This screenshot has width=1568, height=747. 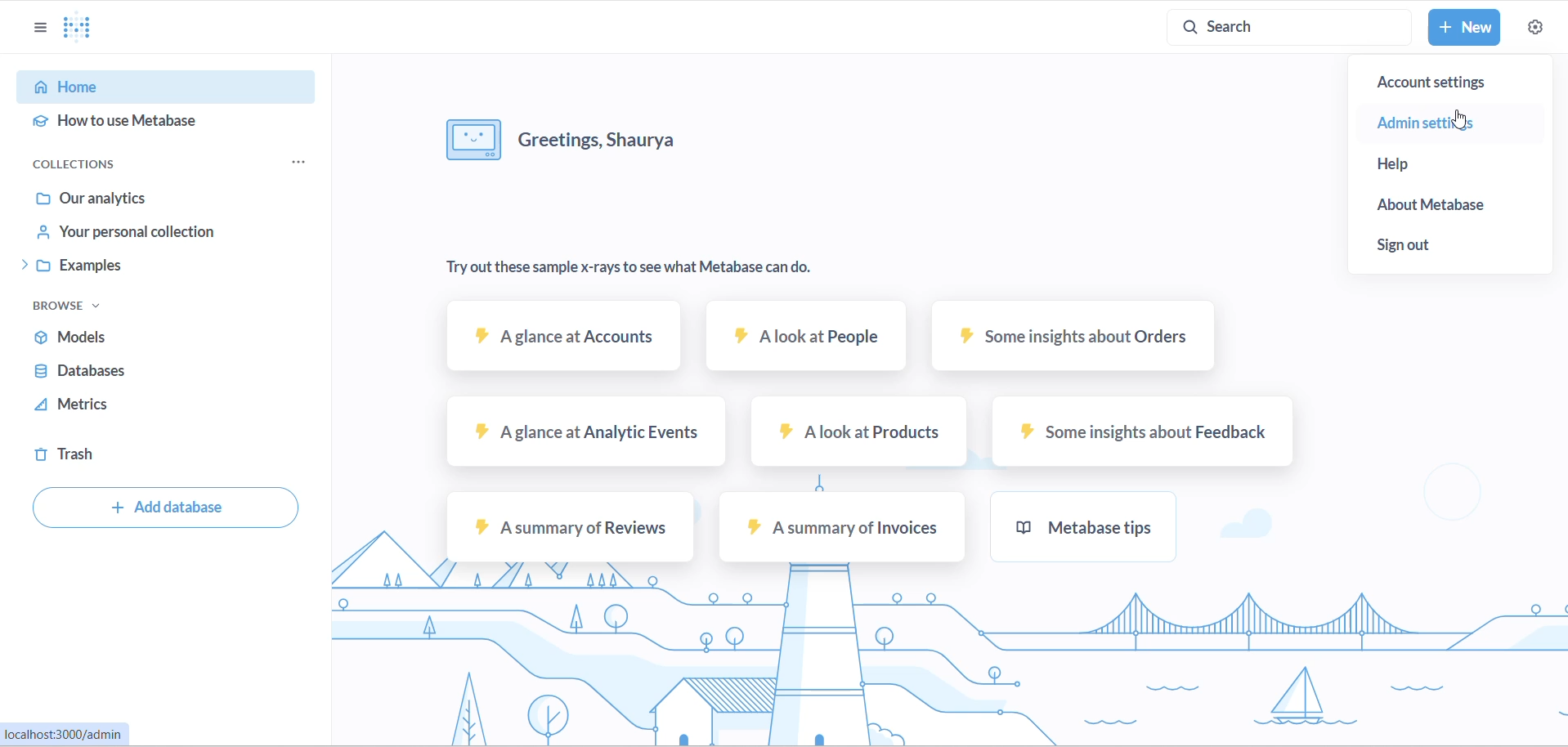 What do you see at coordinates (1137, 432) in the screenshot?
I see `some insights about feedback sample` at bounding box center [1137, 432].